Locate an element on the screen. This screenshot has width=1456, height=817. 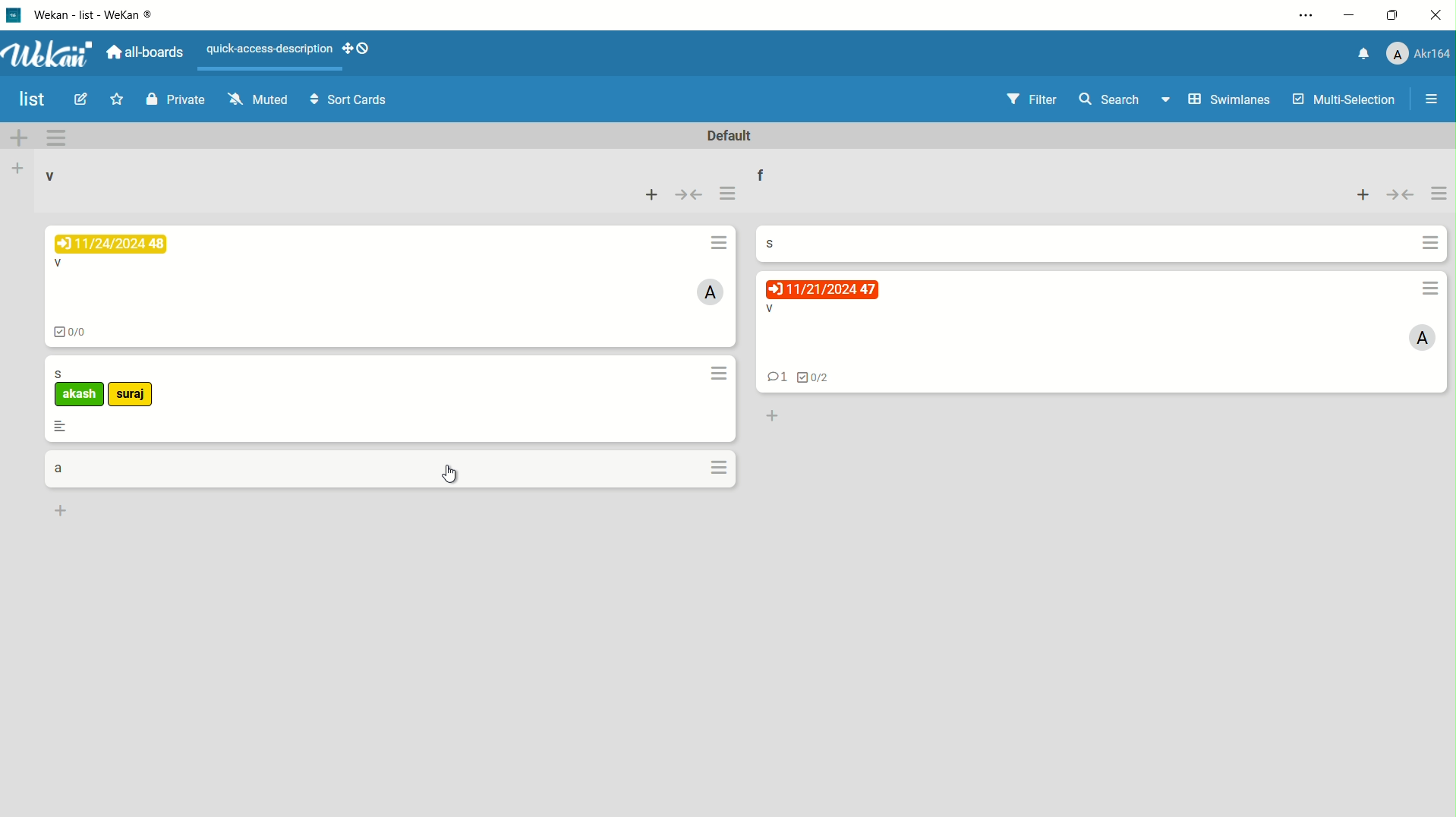
cursor is located at coordinates (451, 474).